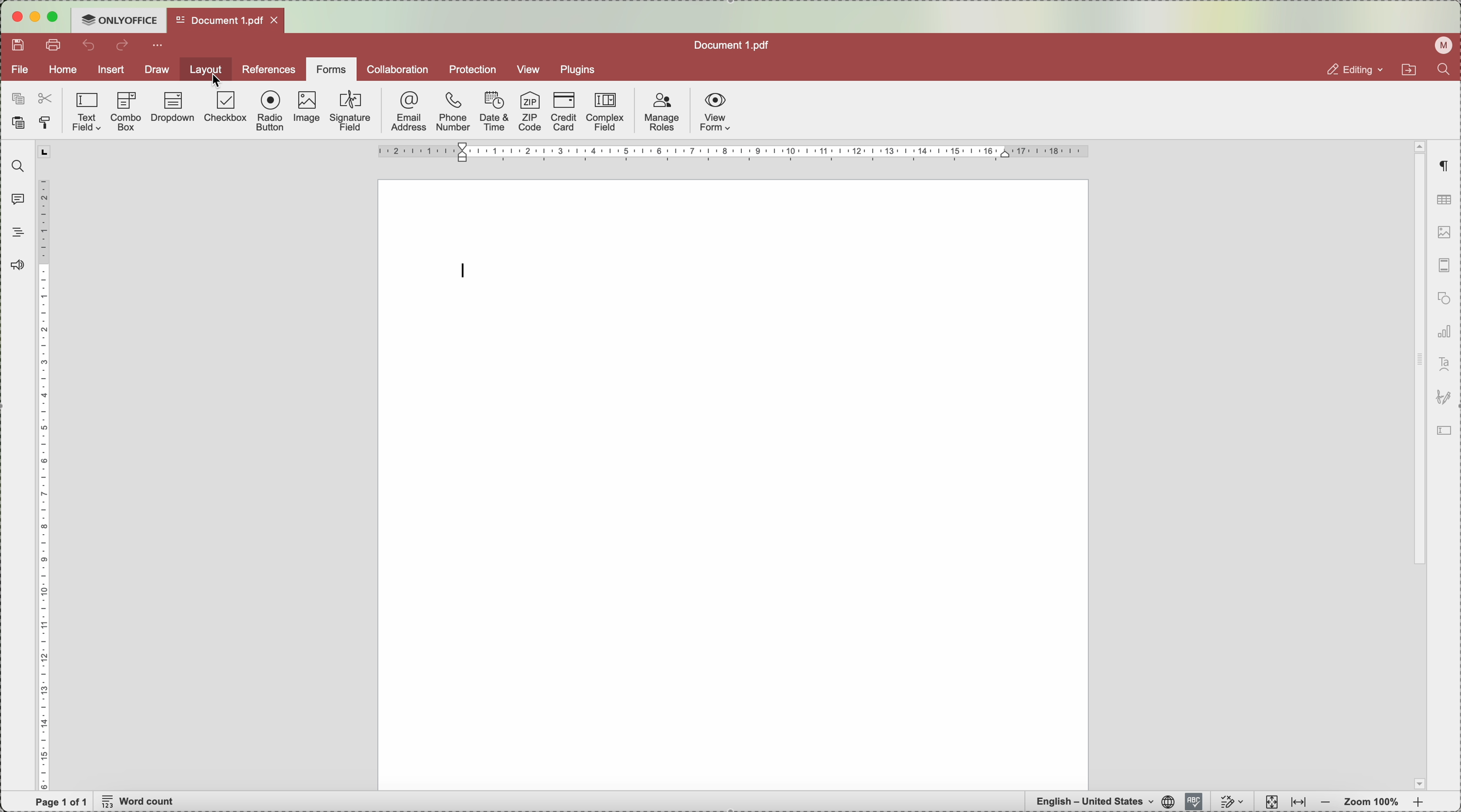 This screenshot has width=1461, height=812. Describe the element at coordinates (159, 46) in the screenshot. I see `more options` at that location.